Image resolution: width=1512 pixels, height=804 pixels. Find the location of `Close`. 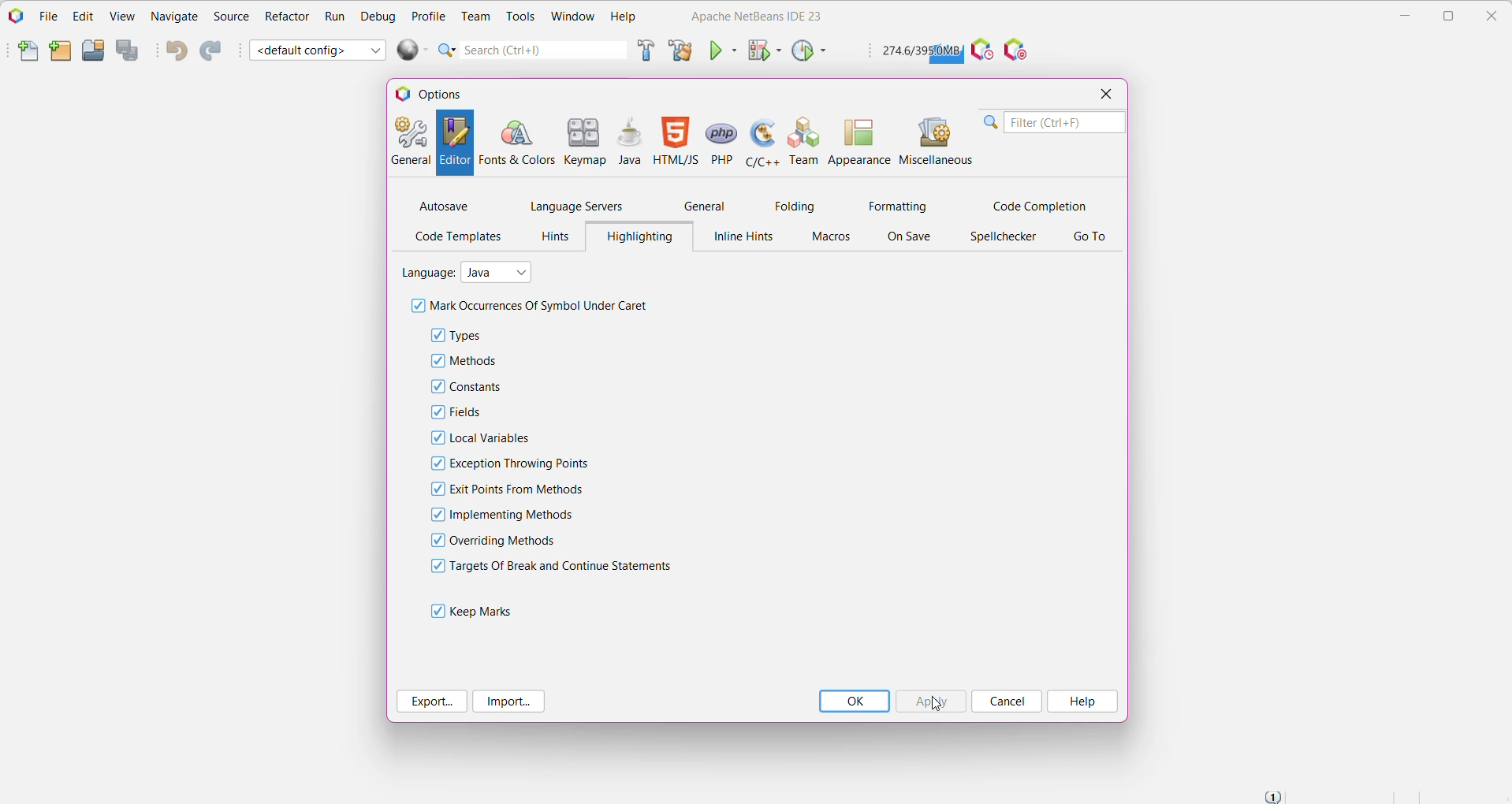

Close is located at coordinates (1495, 17).